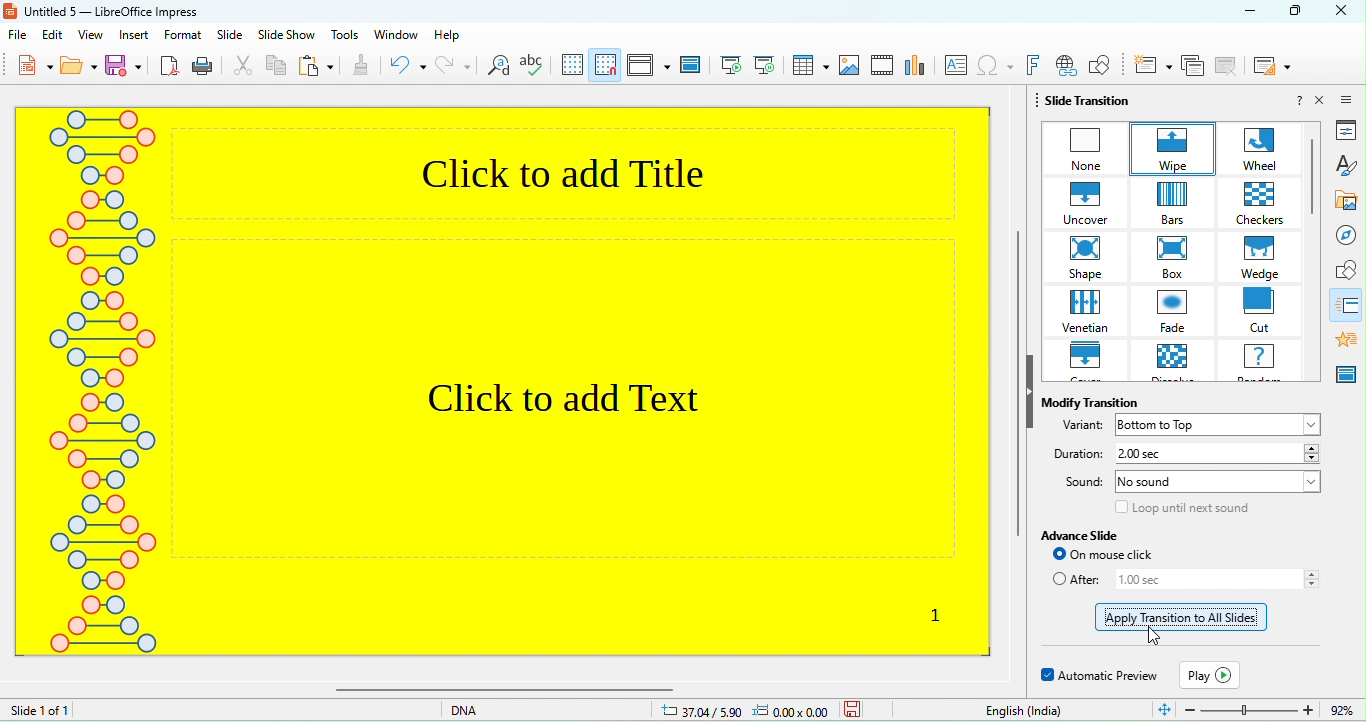 Image resolution: width=1366 pixels, height=722 pixels. I want to click on display view, so click(642, 67).